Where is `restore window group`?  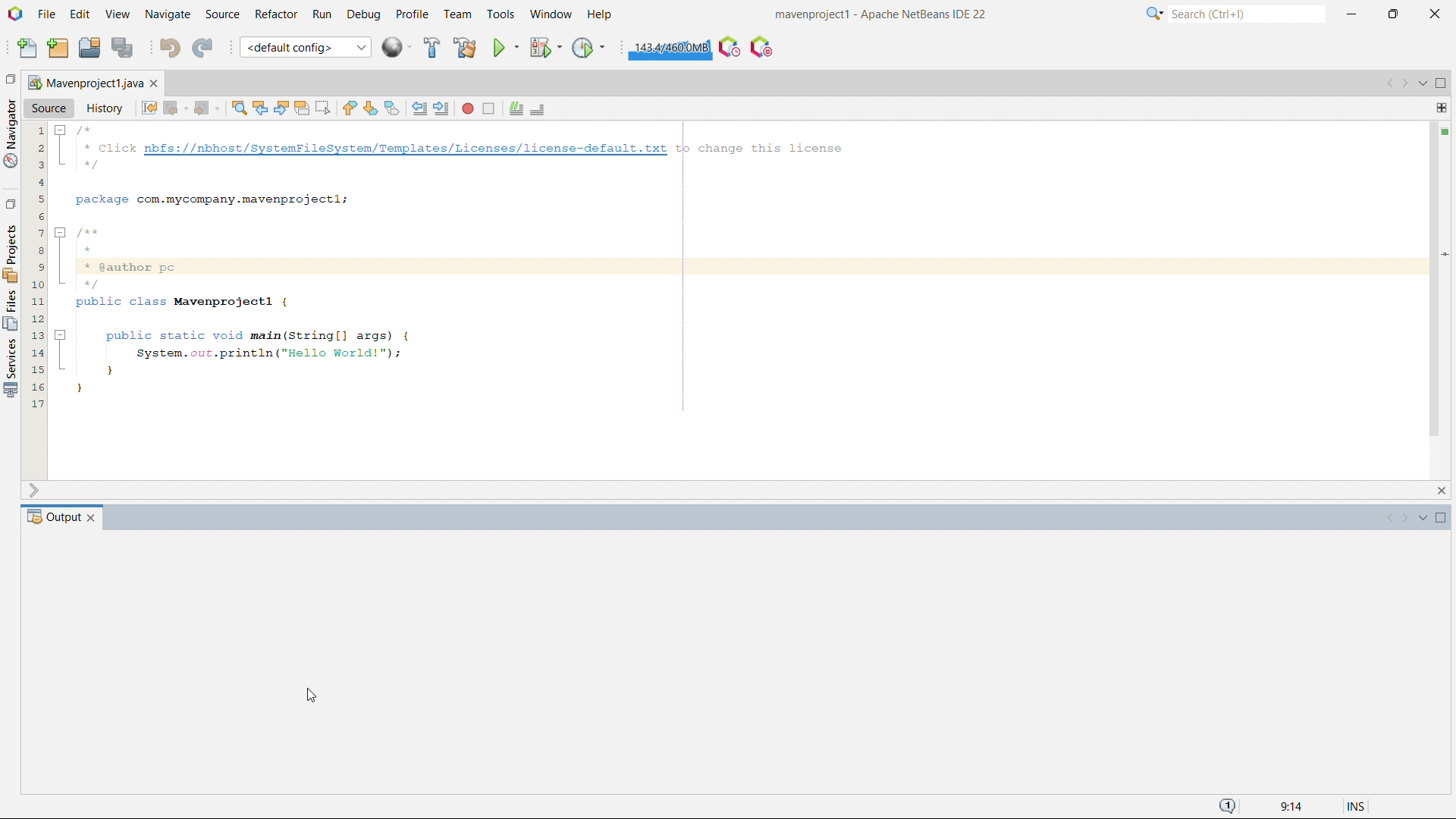
restore window group is located at coordinates (9, 77).